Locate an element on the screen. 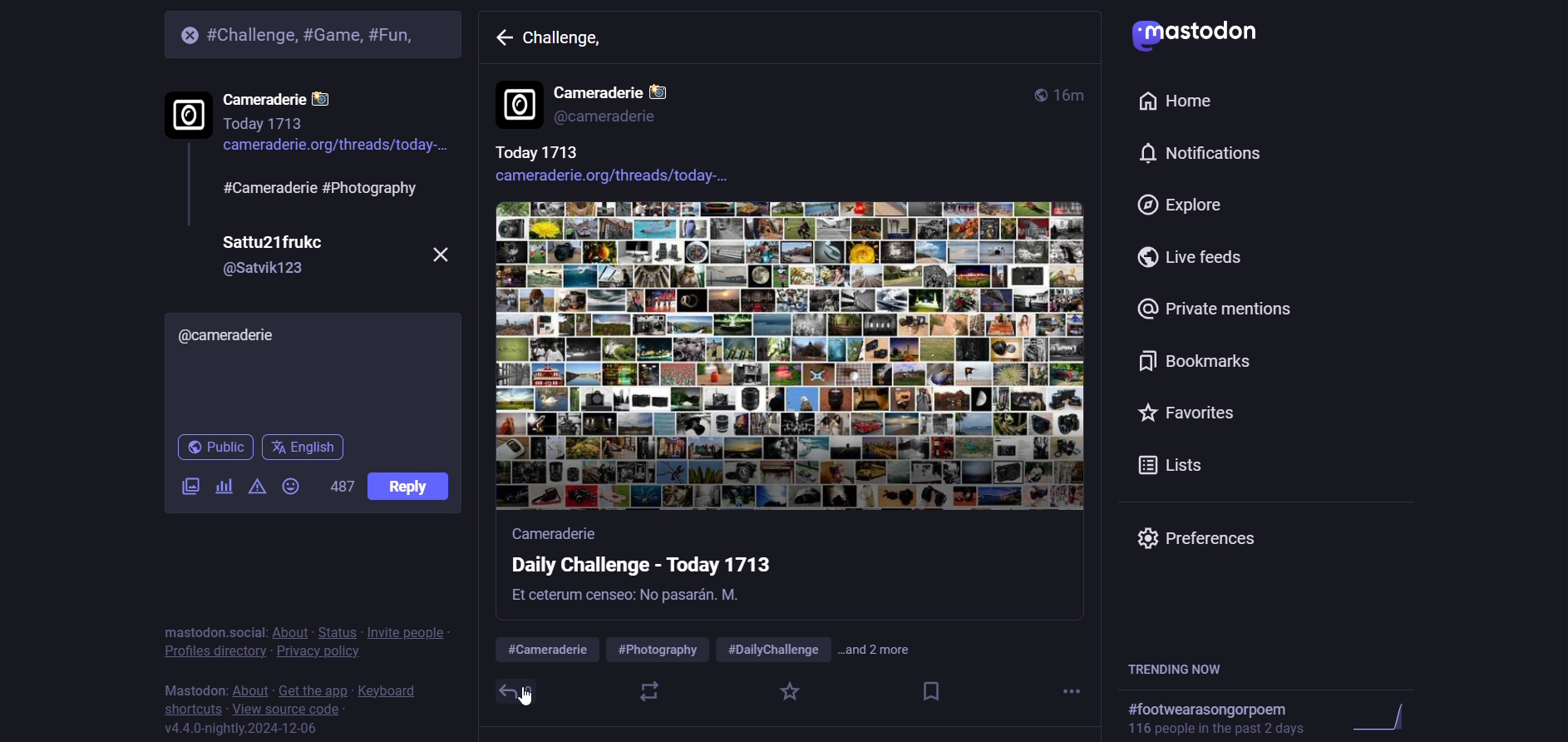  Cameraderie is located at coordinates (620, 90).